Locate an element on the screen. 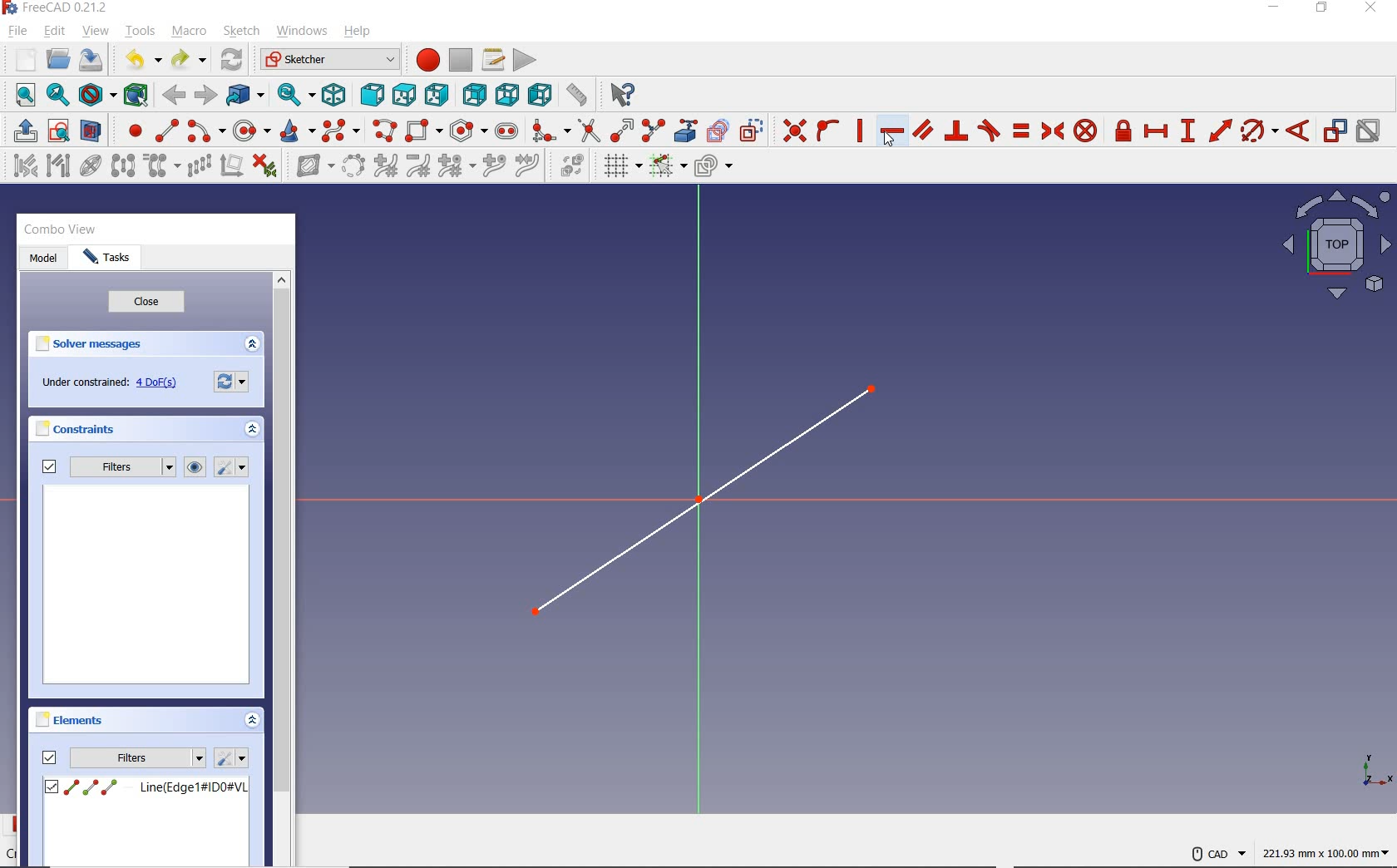  TOGGLE CONSTRUCTION GEOMETRY is located at coordinates (754, 131).